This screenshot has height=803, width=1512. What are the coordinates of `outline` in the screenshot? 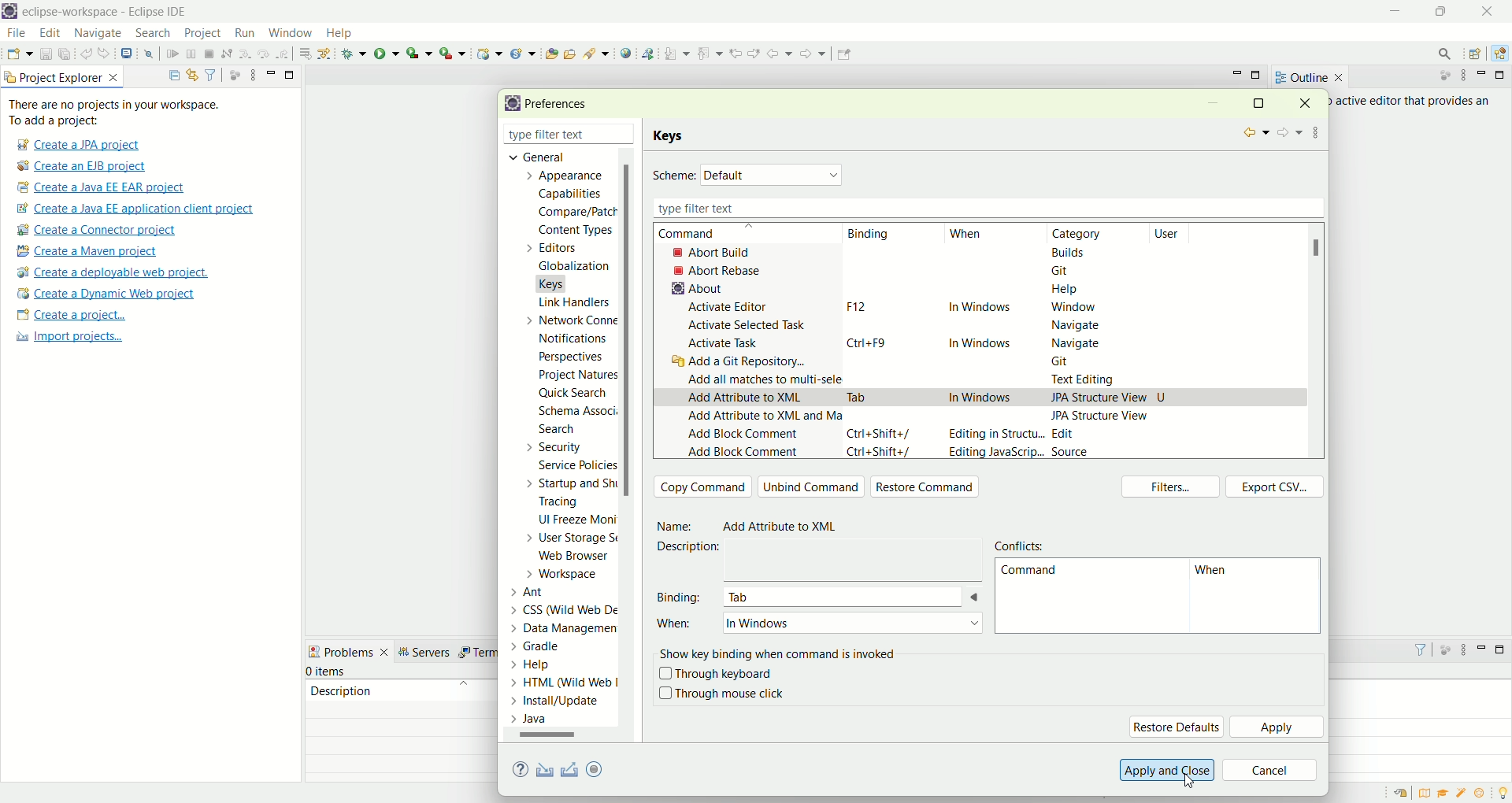 It's located at (1309, 77).